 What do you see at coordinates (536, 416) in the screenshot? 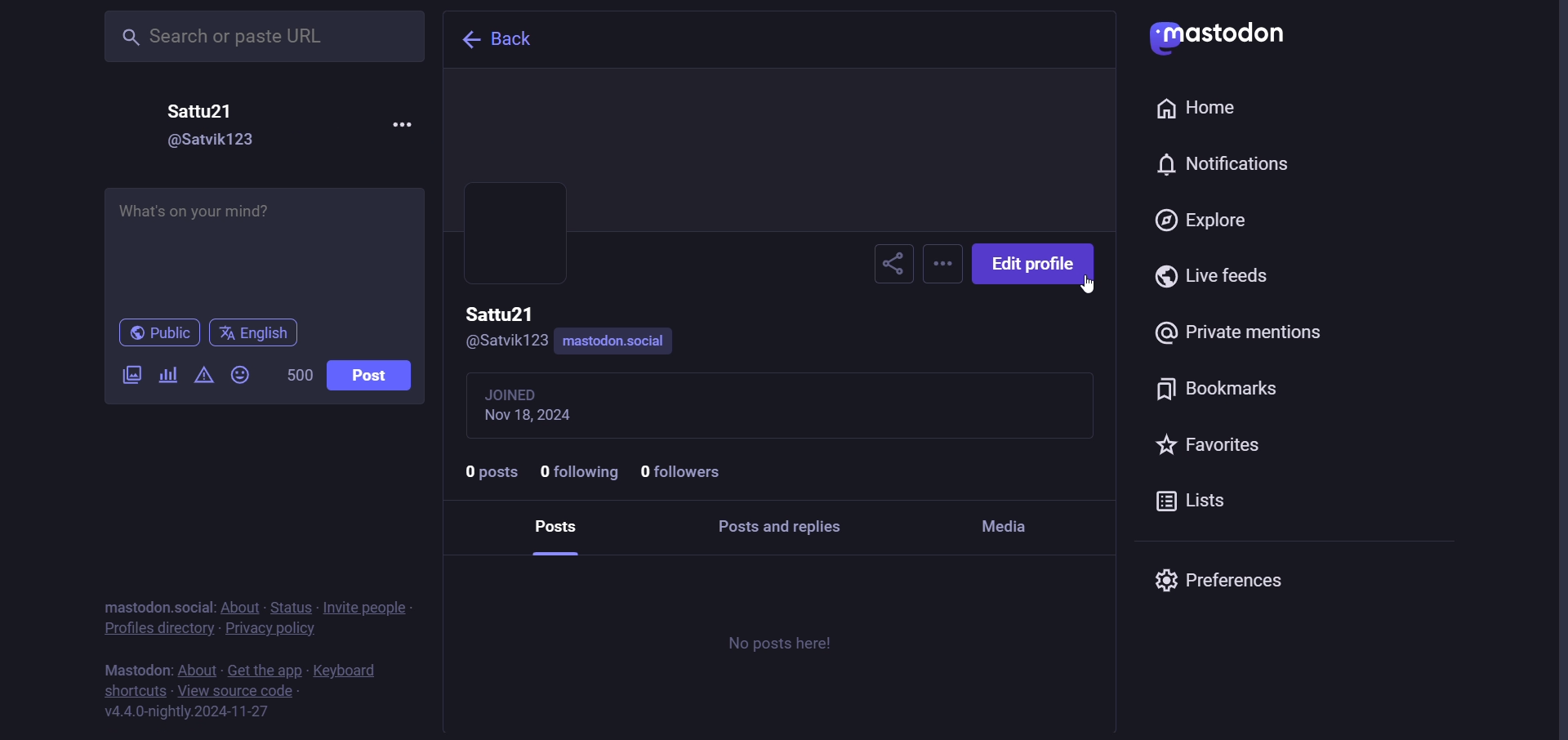
I see `Nov 18,2024` at bounding box center [536, 416].